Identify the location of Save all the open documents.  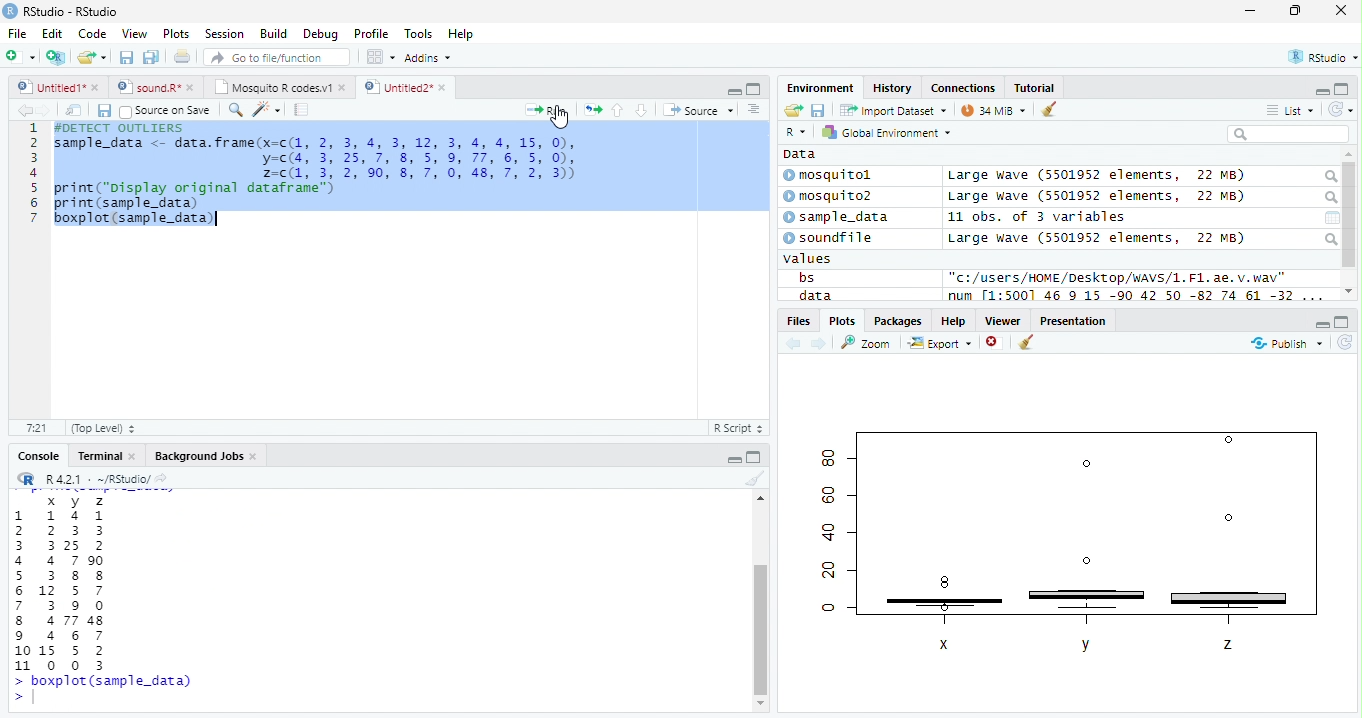
(151, 58).